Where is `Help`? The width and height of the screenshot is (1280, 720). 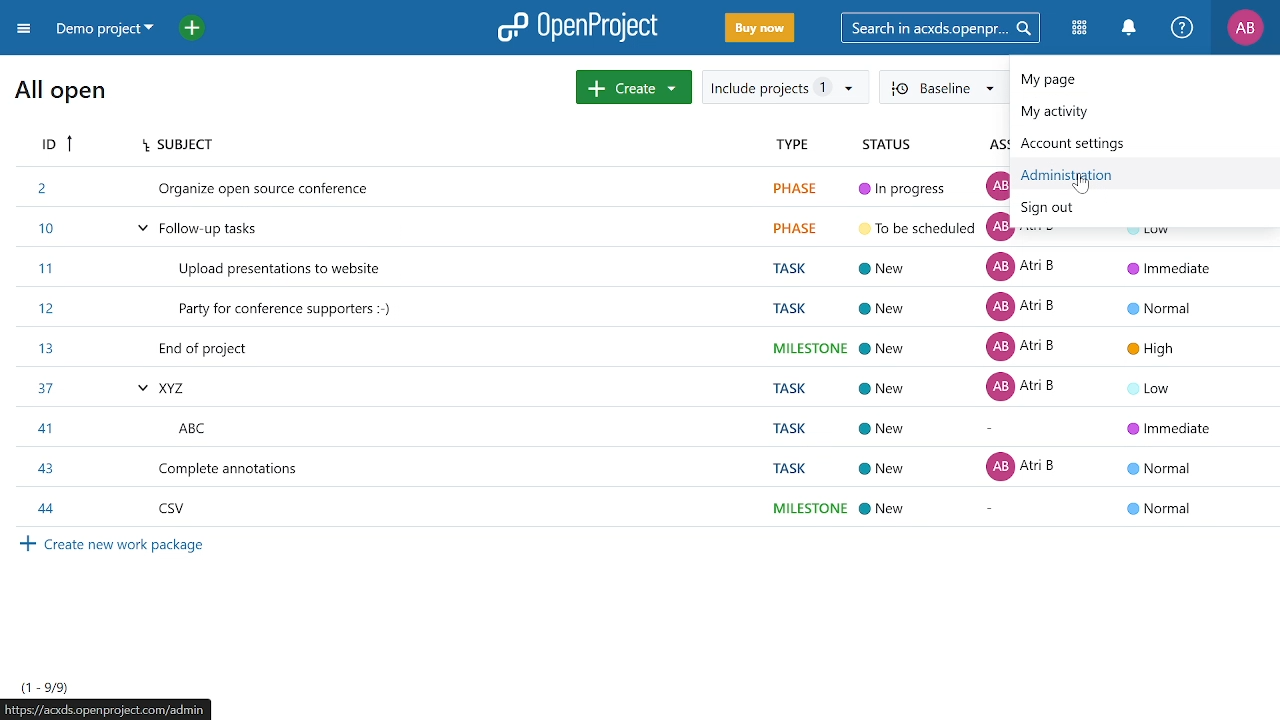
Help is located at coordinates (1183, 29).